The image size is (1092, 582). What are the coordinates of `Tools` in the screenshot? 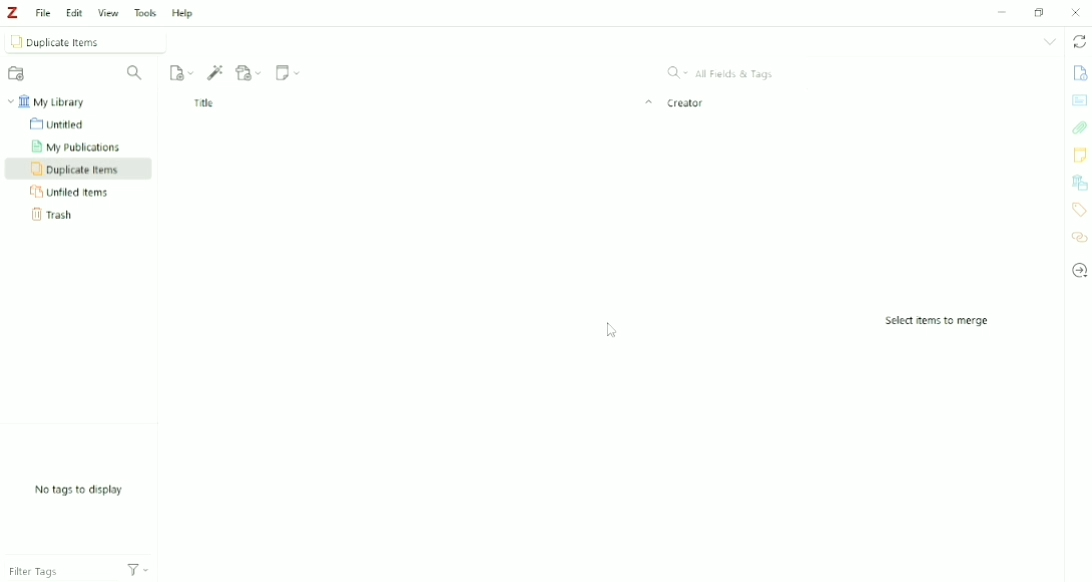 It's located at (145, 13).